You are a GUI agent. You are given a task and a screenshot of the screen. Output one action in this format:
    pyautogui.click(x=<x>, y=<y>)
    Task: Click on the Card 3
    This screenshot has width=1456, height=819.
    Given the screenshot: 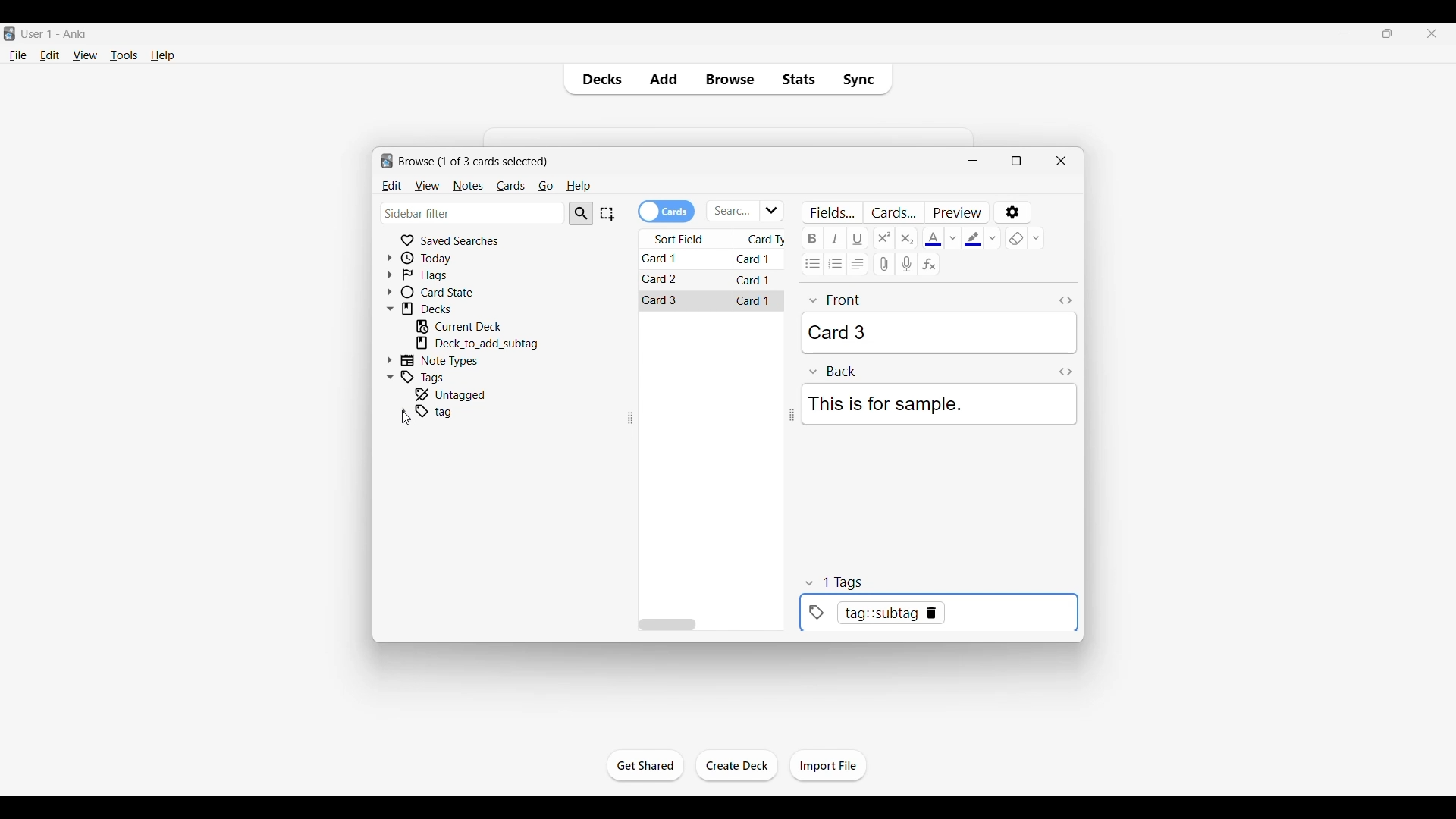 What is the action you would take?
    pyautogui.click(x=663, y=300)
    